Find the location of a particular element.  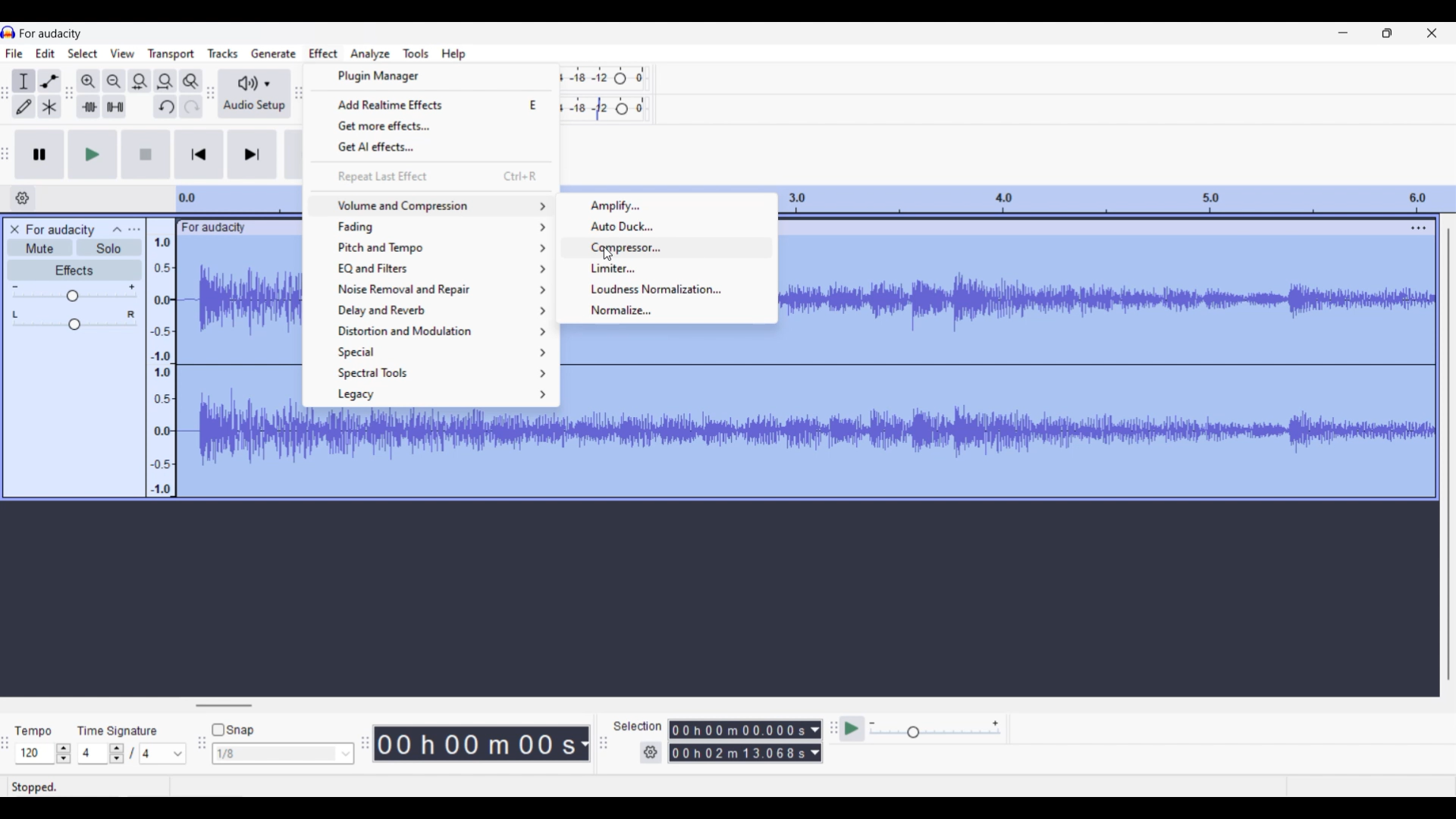

Track highlighted after selection is located at coordinates (1142, 369).